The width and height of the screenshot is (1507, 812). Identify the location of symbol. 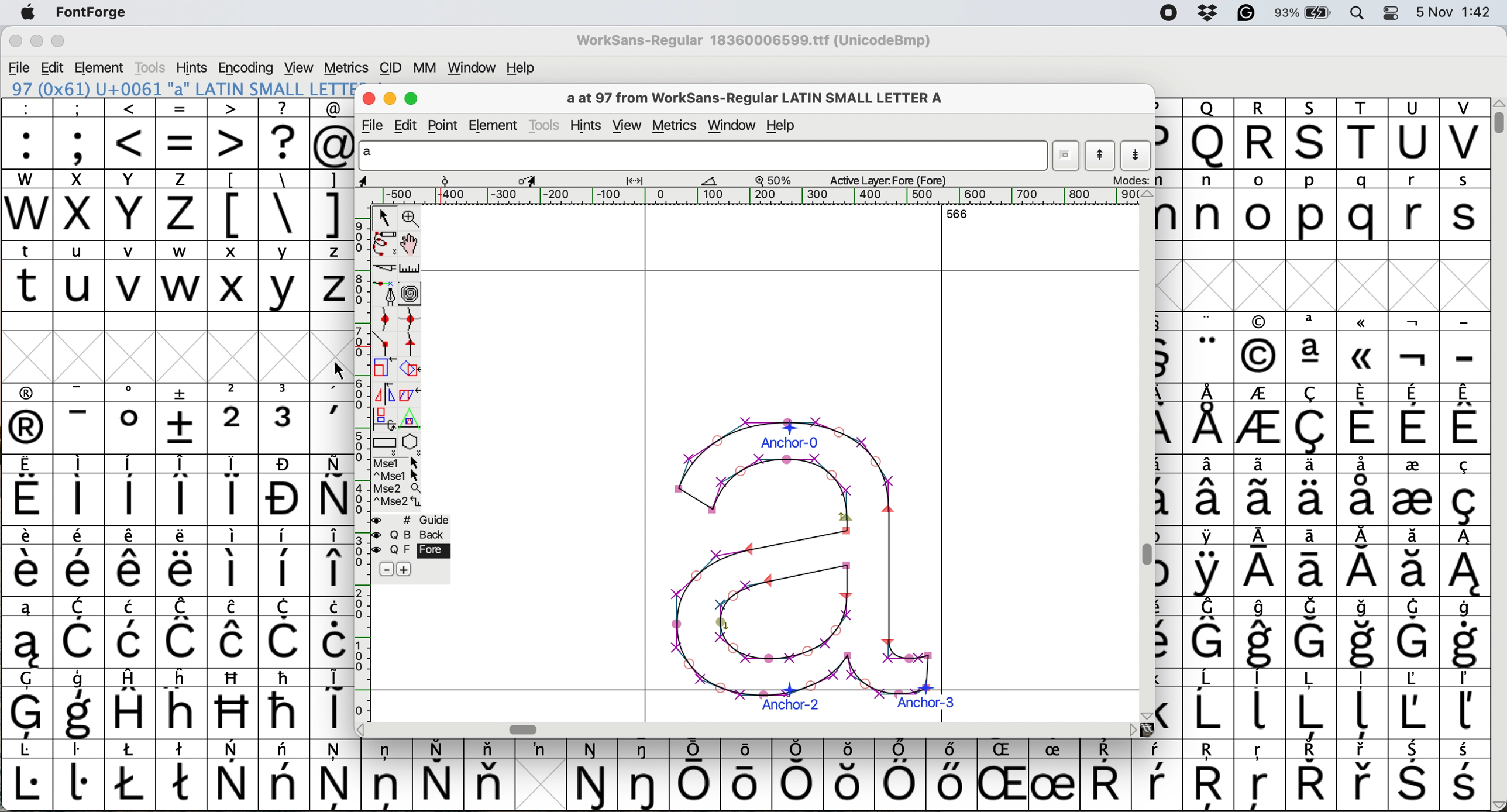
(1412, 489).